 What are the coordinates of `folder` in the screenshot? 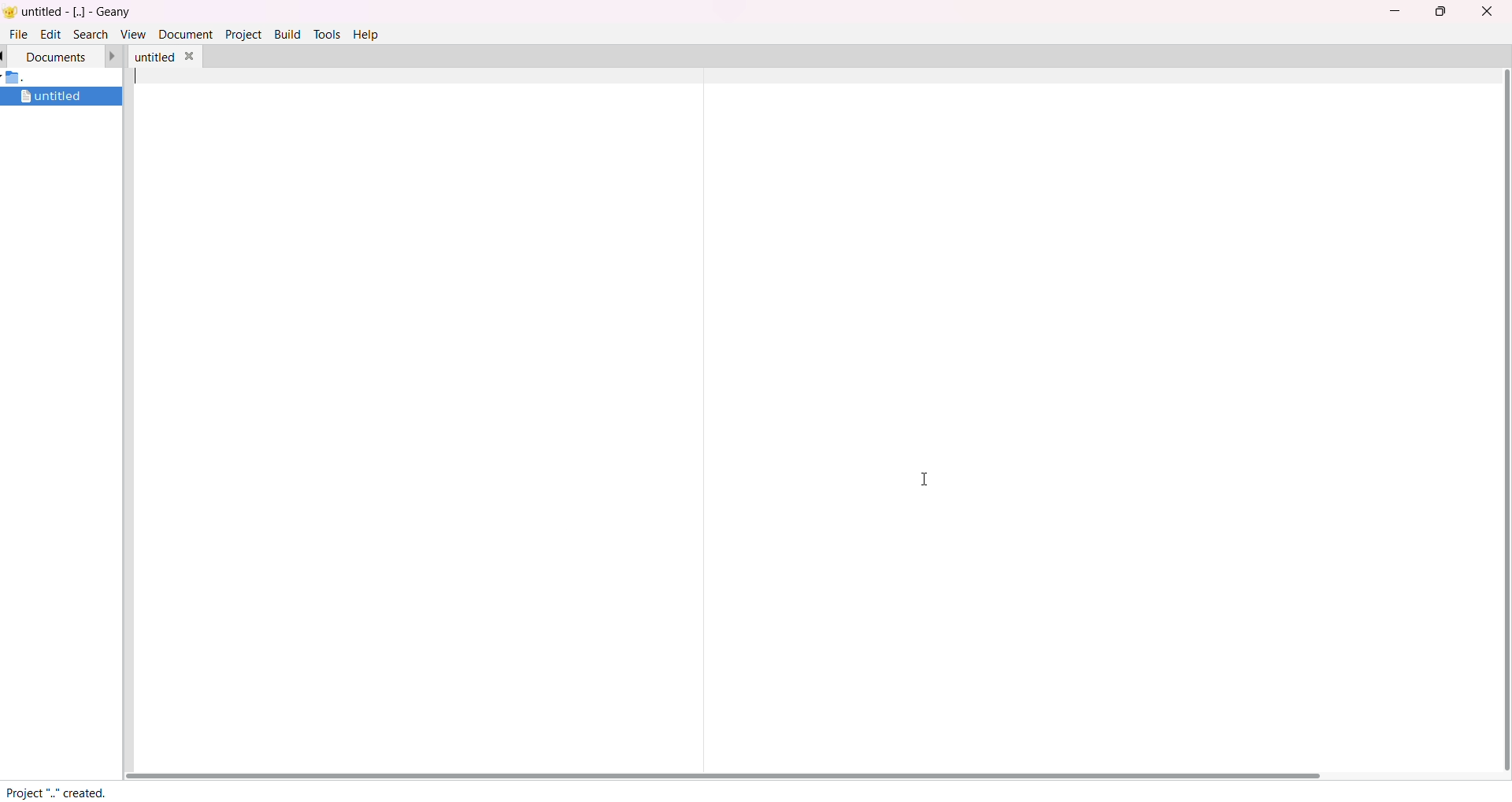 It's located at (17, 79).